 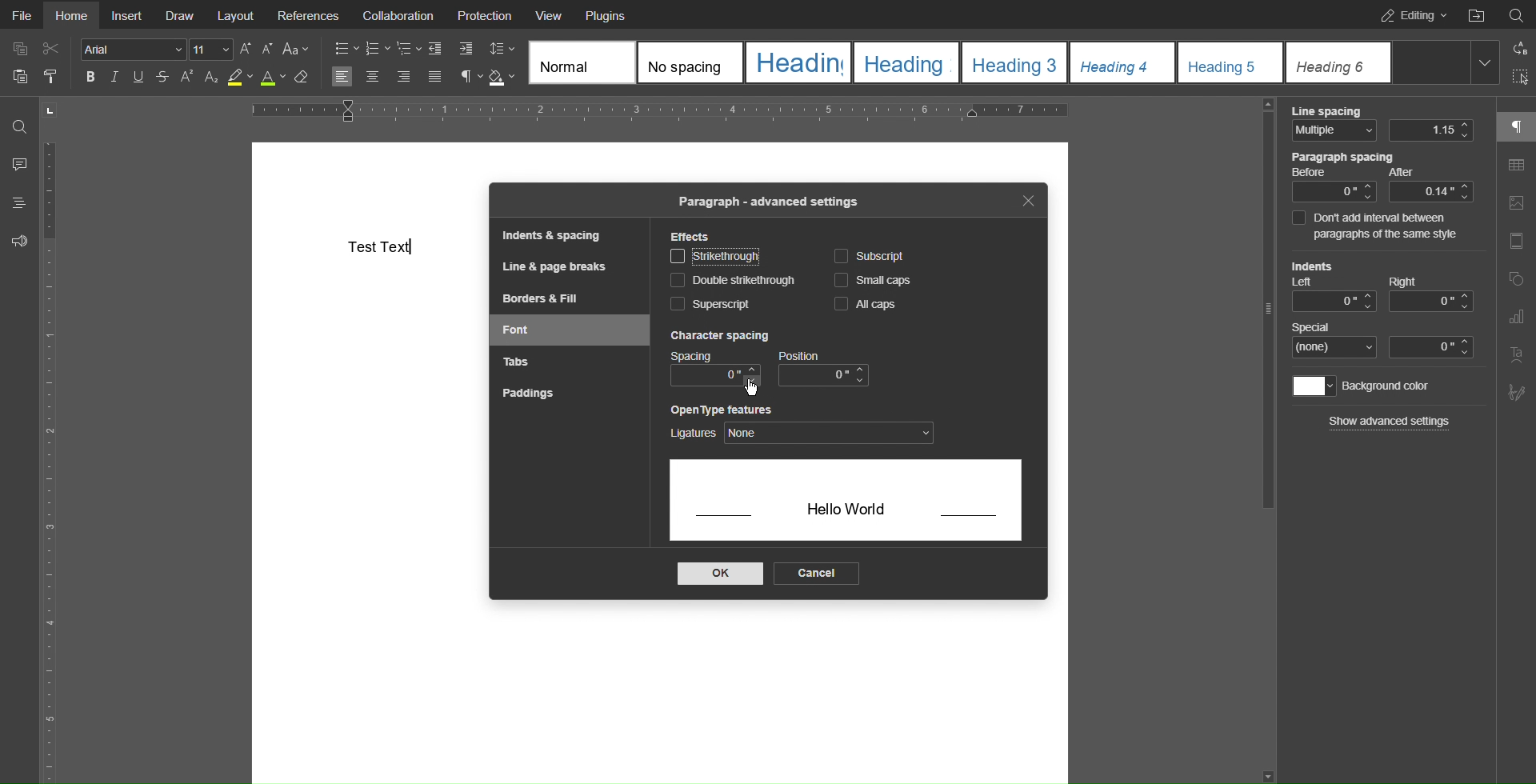 I want to click on Underline, so click(x=137, y=77).